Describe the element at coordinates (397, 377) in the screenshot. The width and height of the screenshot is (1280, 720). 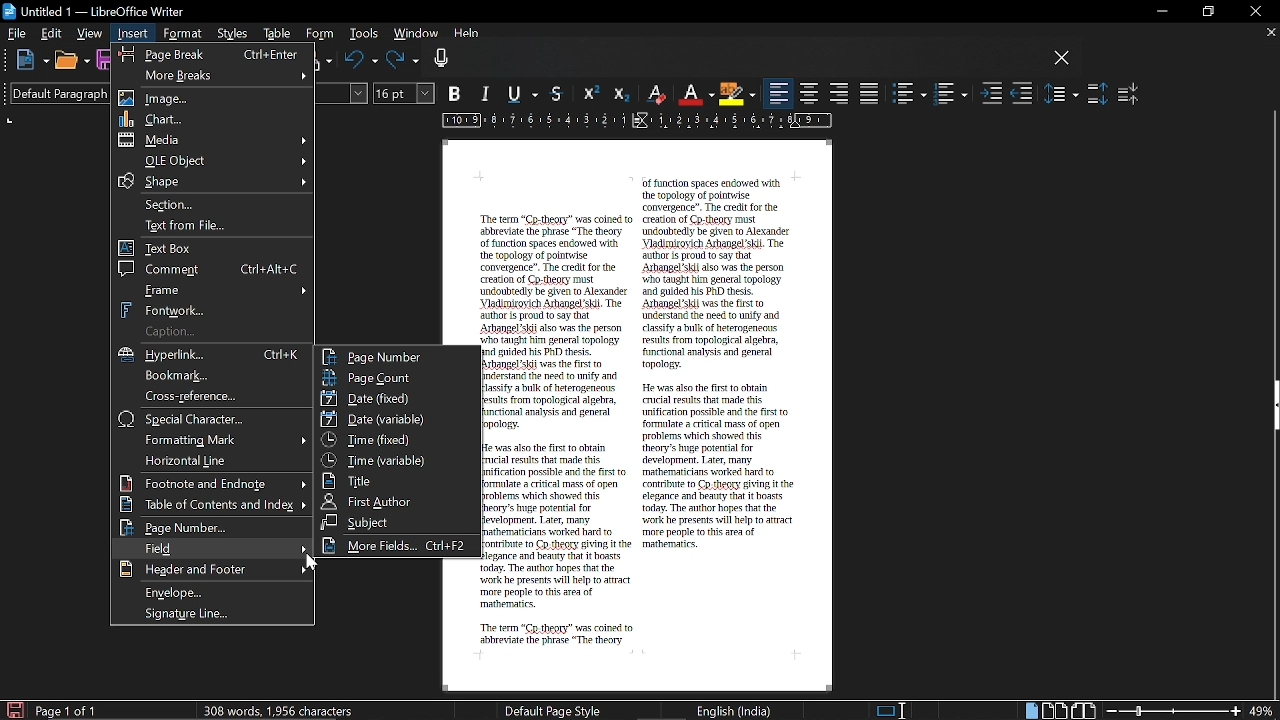
I see `Page count` at that location.